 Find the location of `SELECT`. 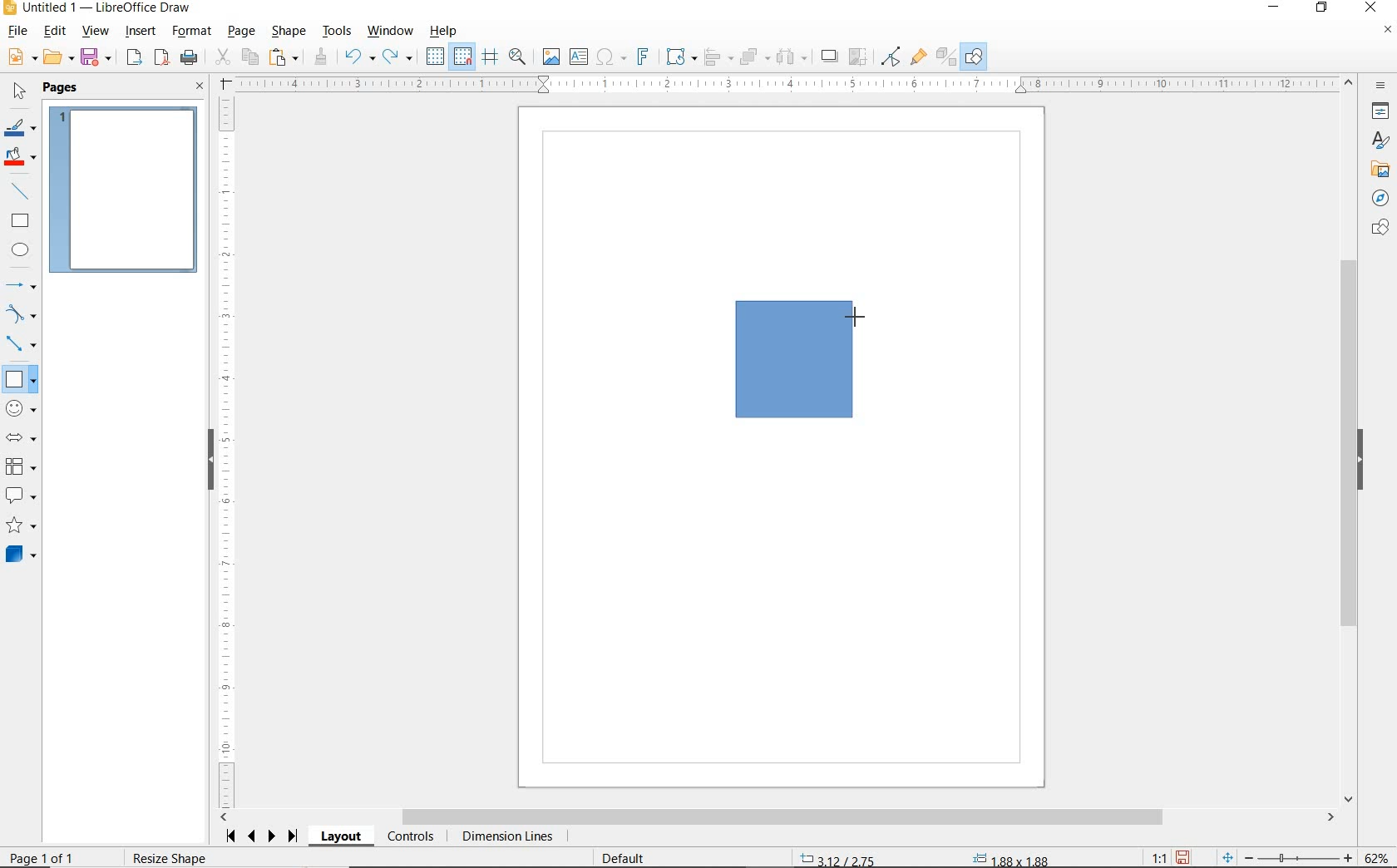

SELECT is located at coordinates (17, 94).